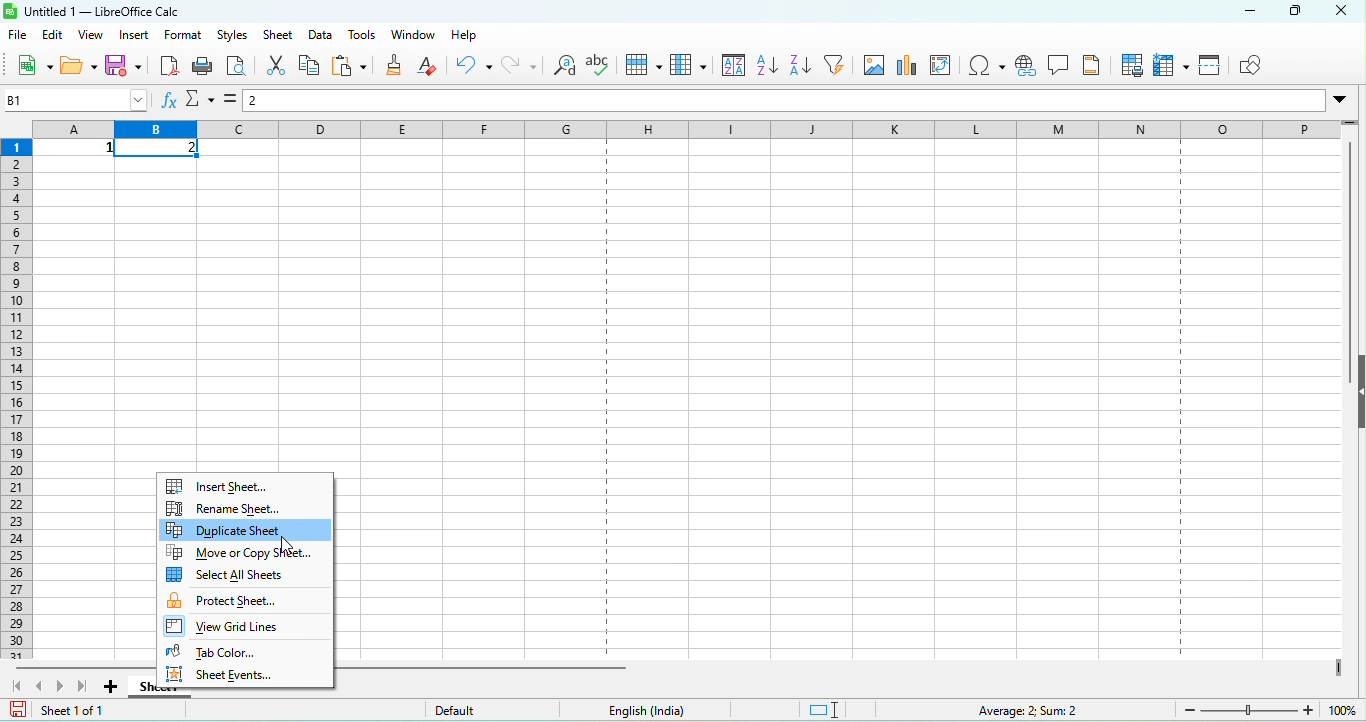 The width and height of the screenshot is (1366, 722). What do you see at coordinates (245, 482) in the screenshot?
I see `insert sheet` at bounding box center [245, 482].